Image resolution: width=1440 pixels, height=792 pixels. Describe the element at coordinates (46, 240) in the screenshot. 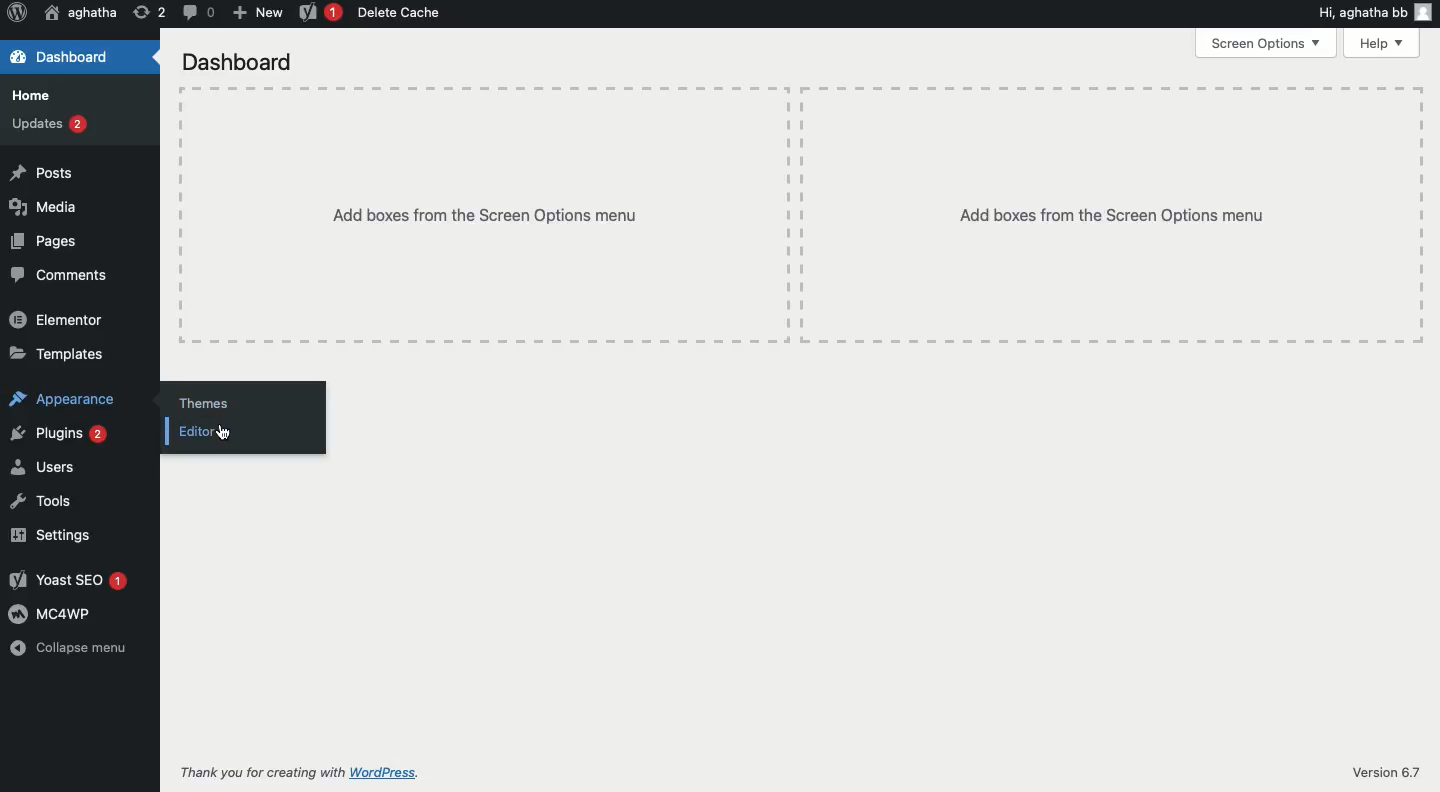

I see `Pages` at that location.